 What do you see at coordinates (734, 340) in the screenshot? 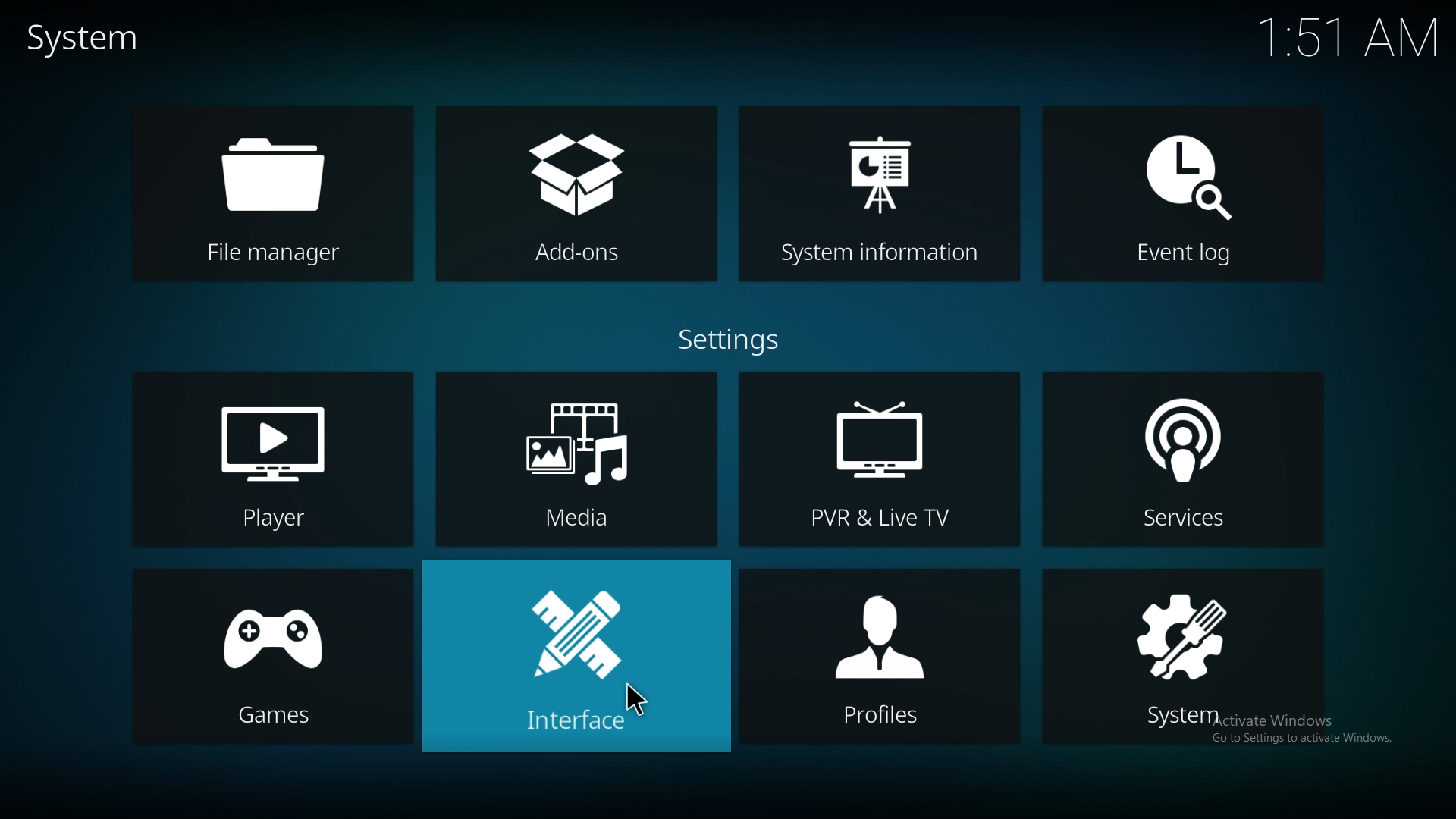
I see `settings` at bounding box center [734, 340].